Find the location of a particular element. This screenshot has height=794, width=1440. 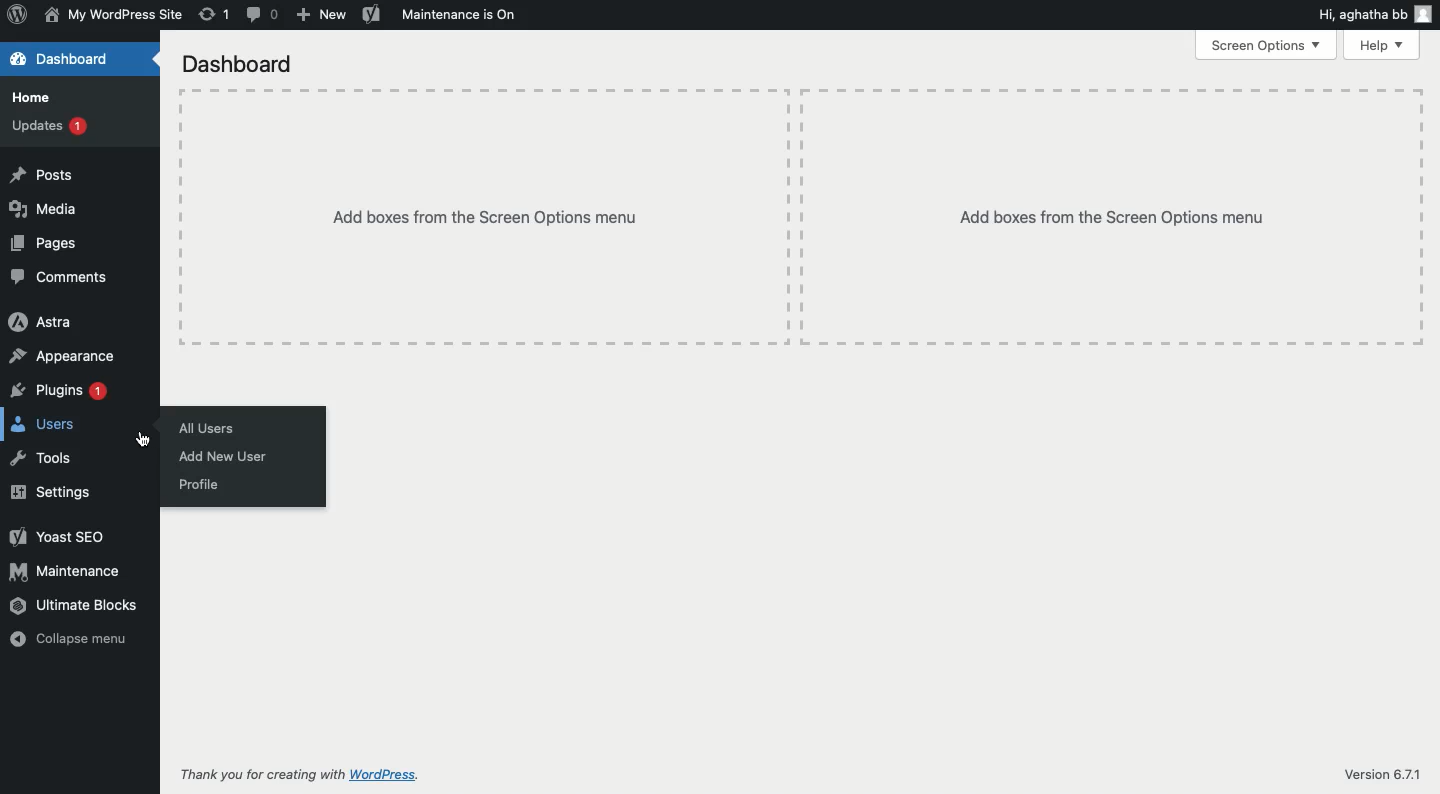

Comments is located at coordinates (61, 279).